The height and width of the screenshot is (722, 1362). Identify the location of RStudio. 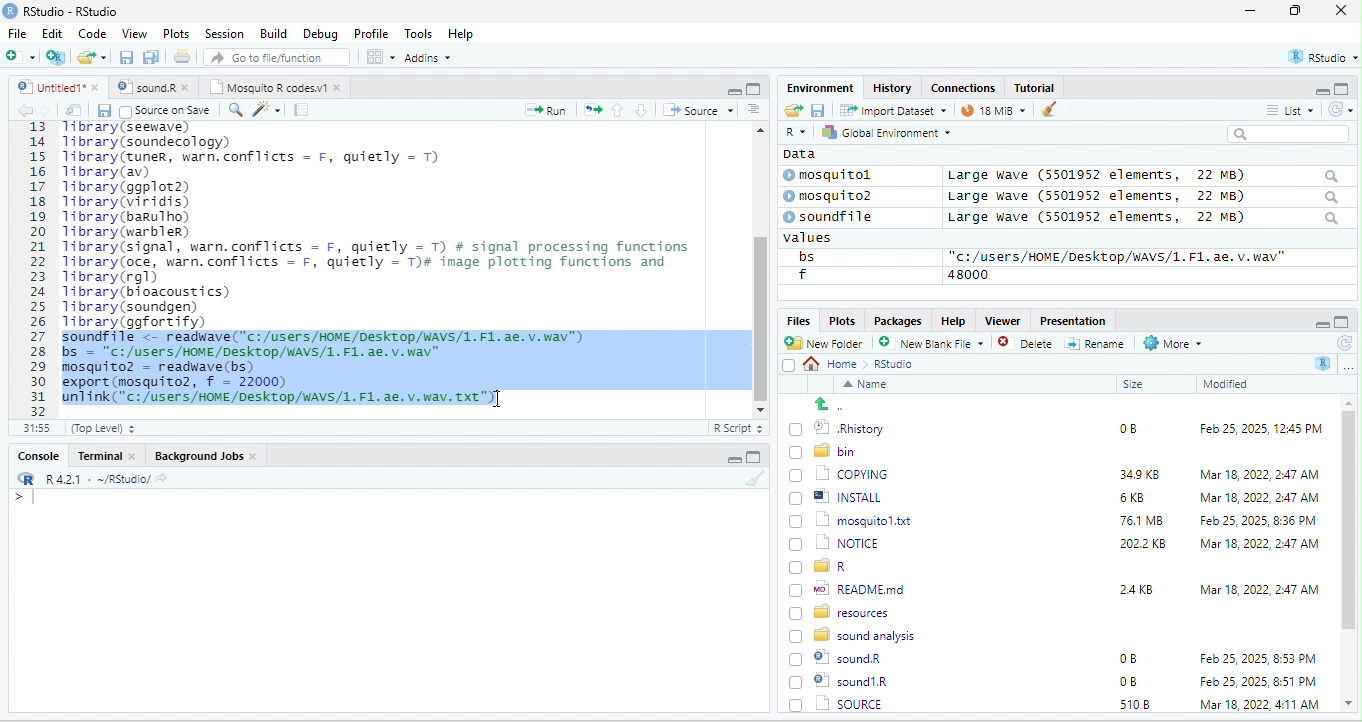
(64, 10).